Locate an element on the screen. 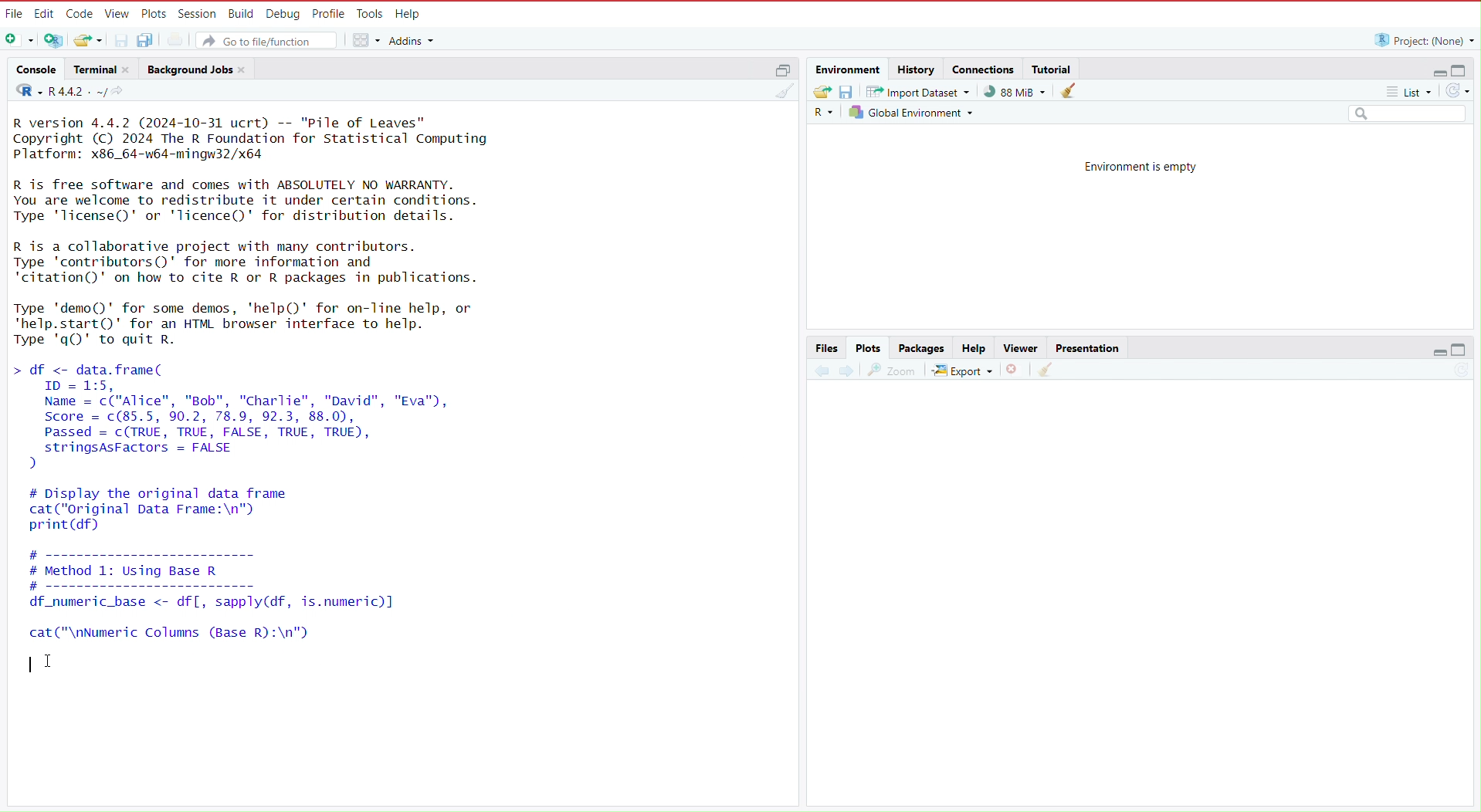 Image resolution: width=1481 pixels, height=812 pixels. 91,132 KiB used by R session is located at coordinates (1016, 92).